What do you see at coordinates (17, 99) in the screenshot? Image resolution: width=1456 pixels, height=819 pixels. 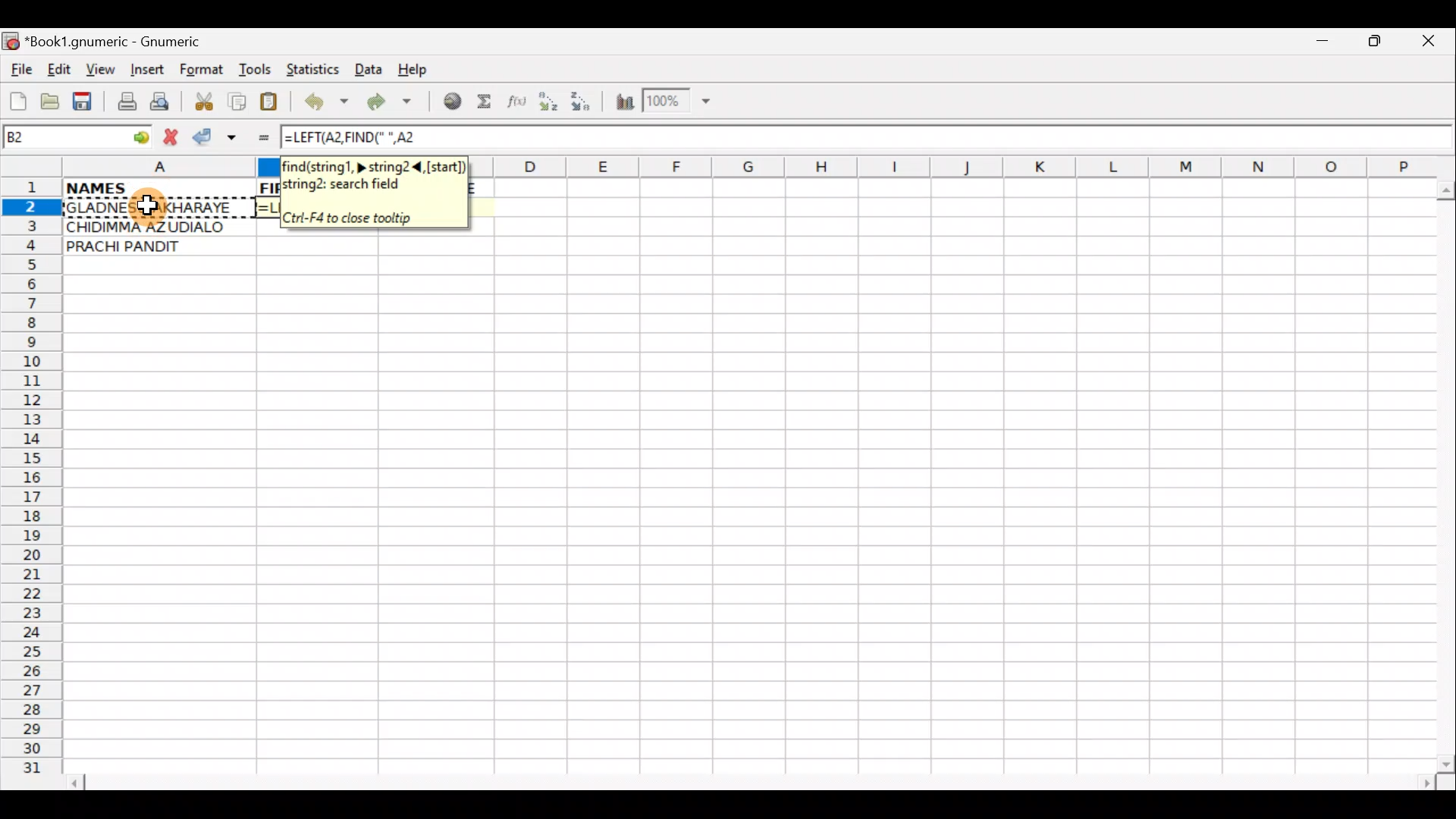 I see `Create new workbook` at bounding box center [17, 99].